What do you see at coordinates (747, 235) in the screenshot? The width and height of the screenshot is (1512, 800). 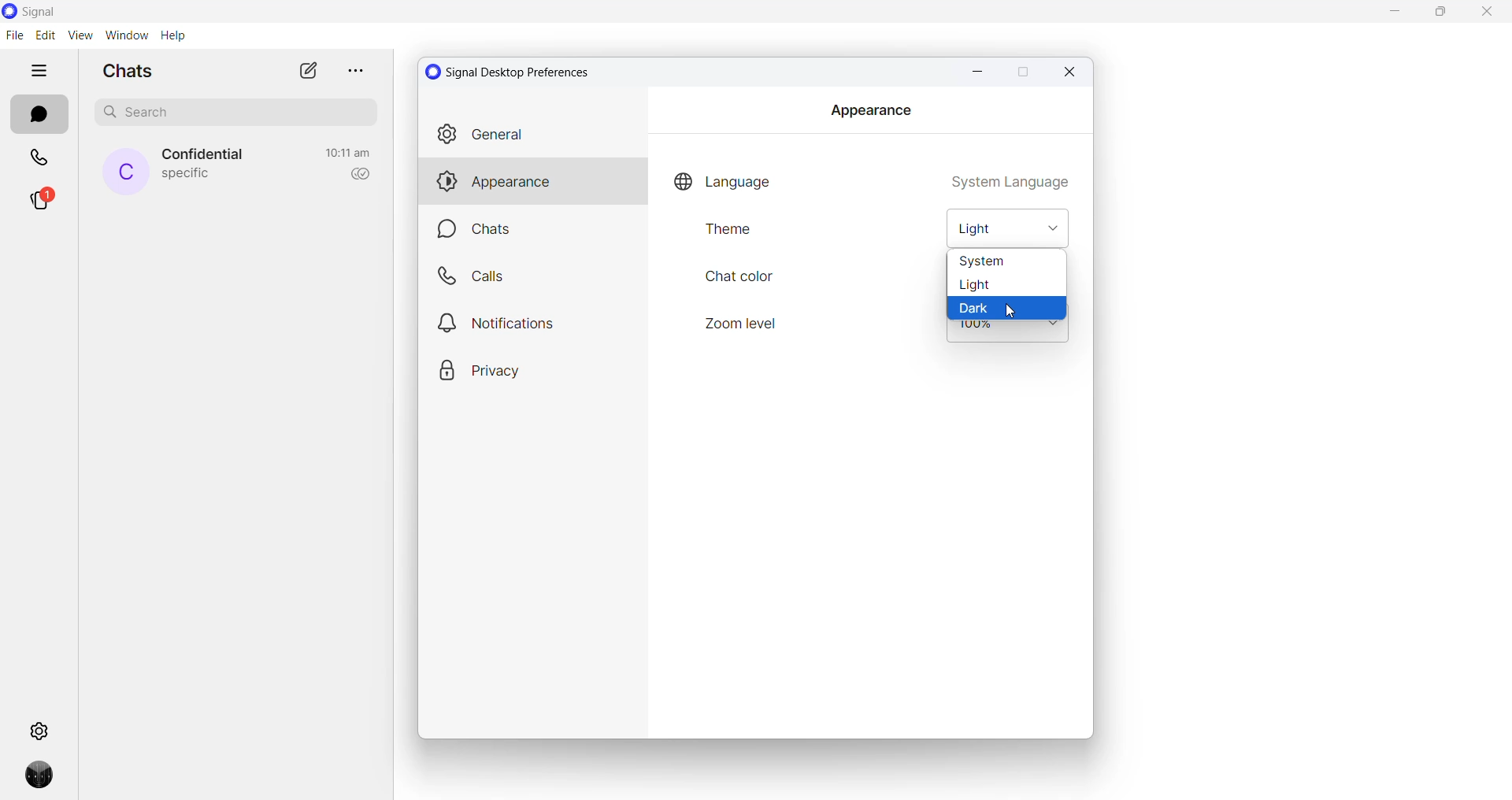 I see `theme` at bounding box center [747, 235].